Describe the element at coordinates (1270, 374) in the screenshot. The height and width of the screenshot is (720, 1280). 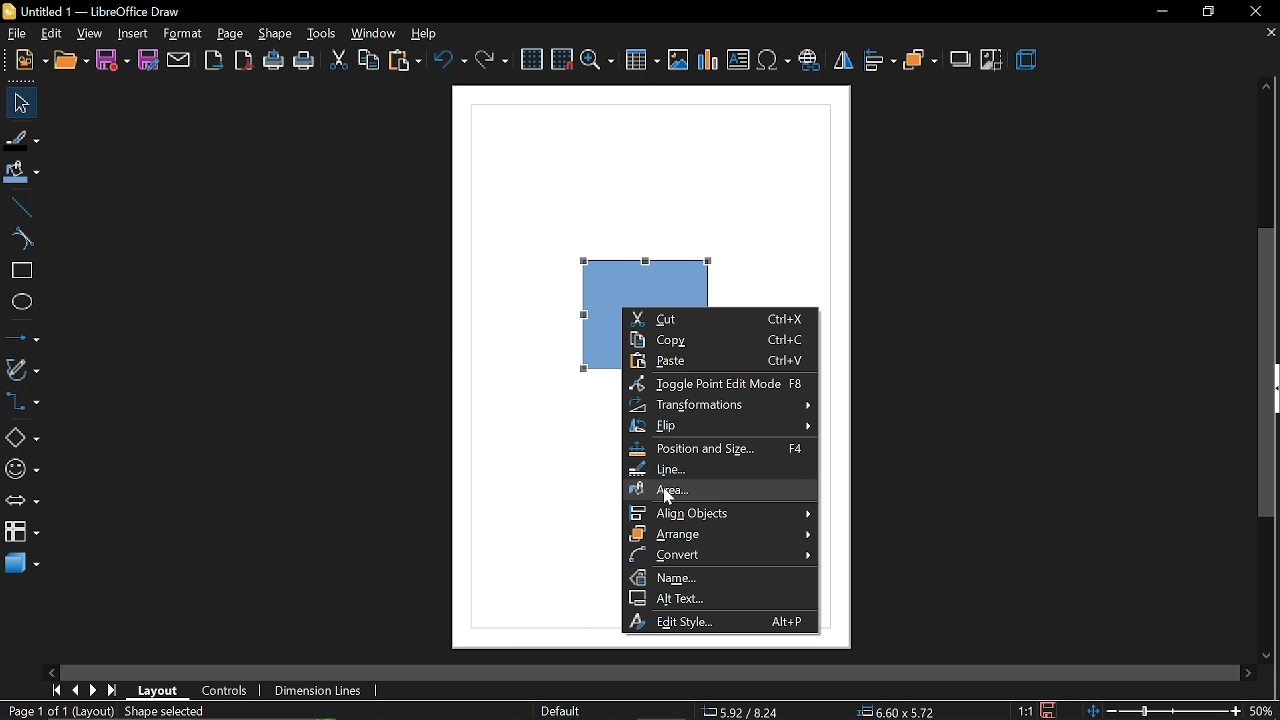
I see `vertical scrollbar` at that location.